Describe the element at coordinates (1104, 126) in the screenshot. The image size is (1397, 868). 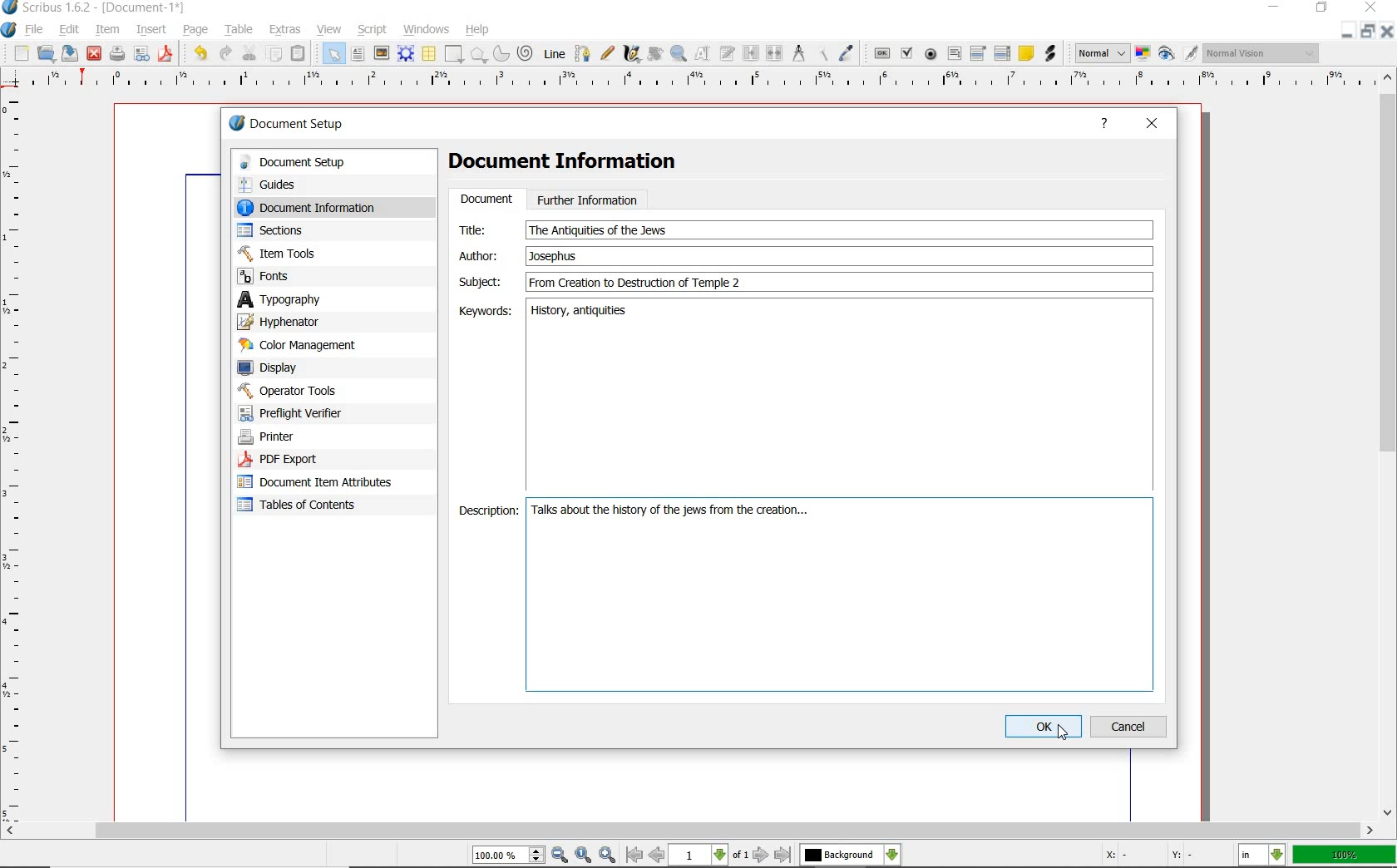
I see `help` at that location.